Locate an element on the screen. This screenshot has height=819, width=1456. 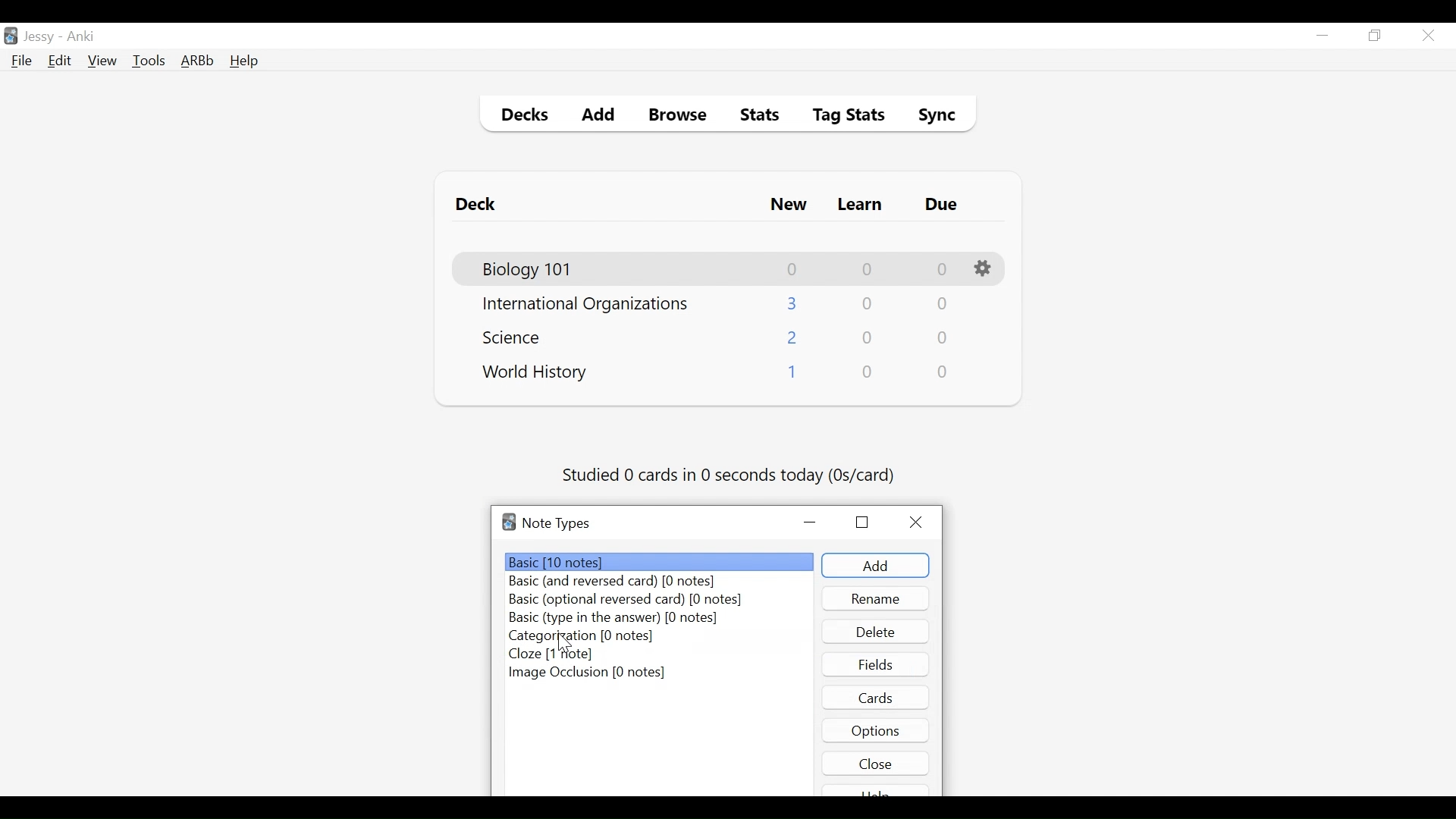
Stats is located at coordinates (755, 115).